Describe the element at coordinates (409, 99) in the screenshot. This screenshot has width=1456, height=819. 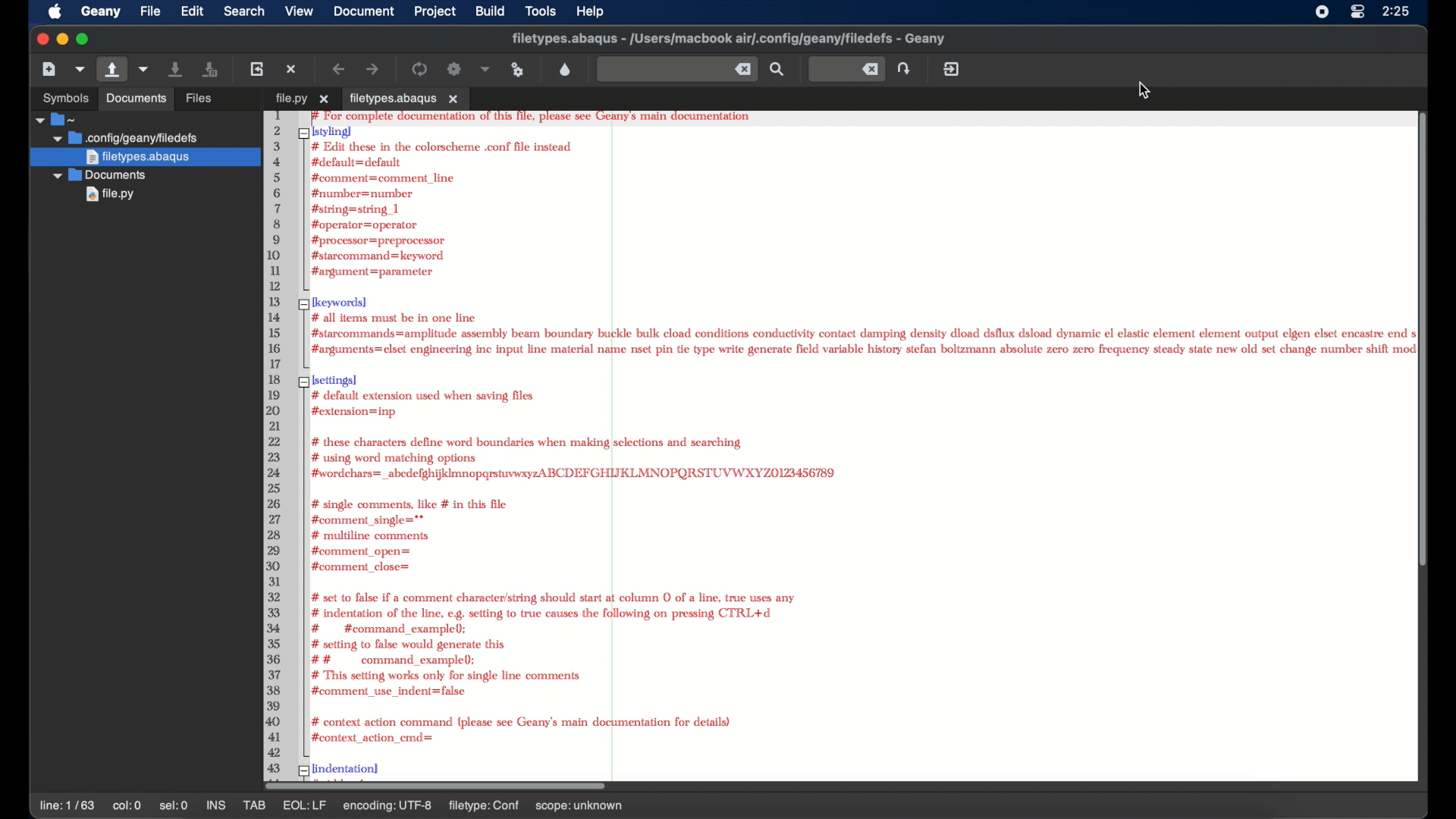
I see `tab` at that location.